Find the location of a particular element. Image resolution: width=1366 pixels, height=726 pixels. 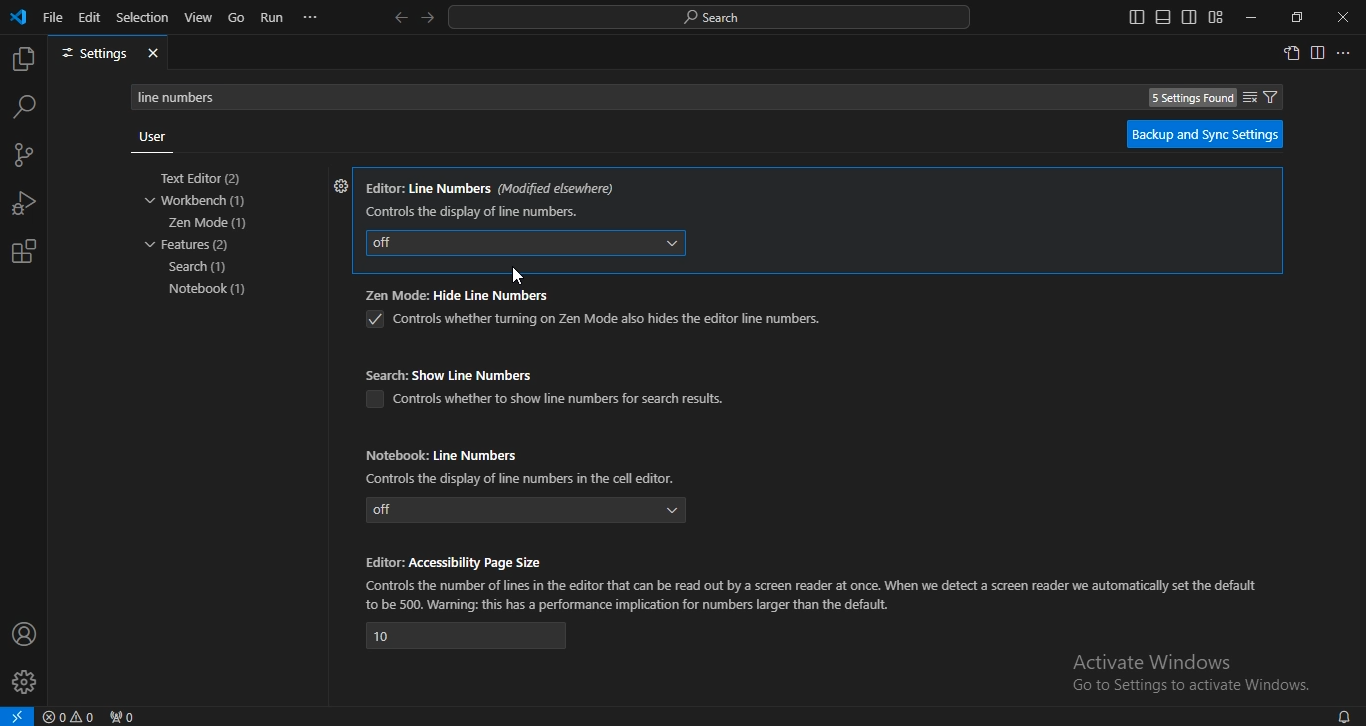

search desktop is located at coordinates (715, 18).